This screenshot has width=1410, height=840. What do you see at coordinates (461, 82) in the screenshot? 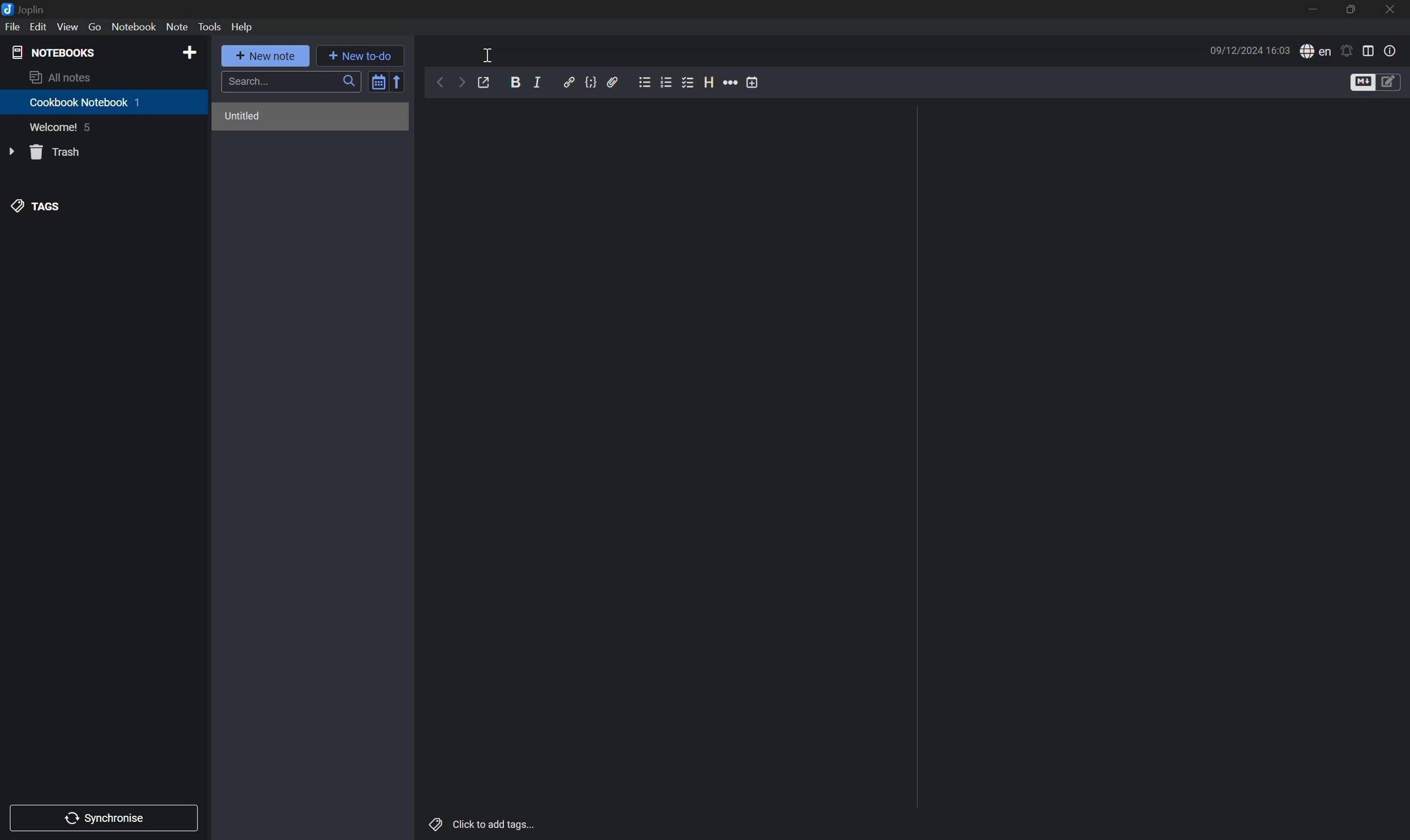
I see `Forward` at bounding box center [461, 82].